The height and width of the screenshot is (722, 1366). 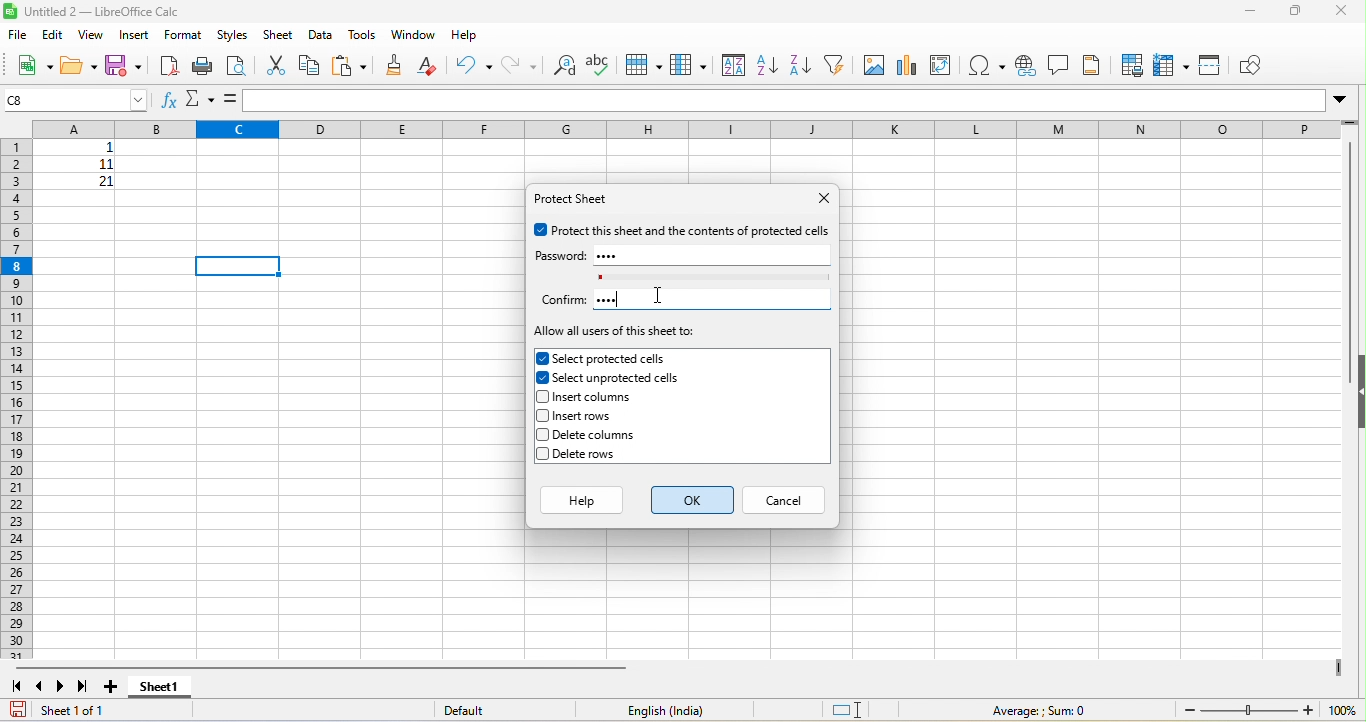 I want to click on close, so click(x=815, y=199).